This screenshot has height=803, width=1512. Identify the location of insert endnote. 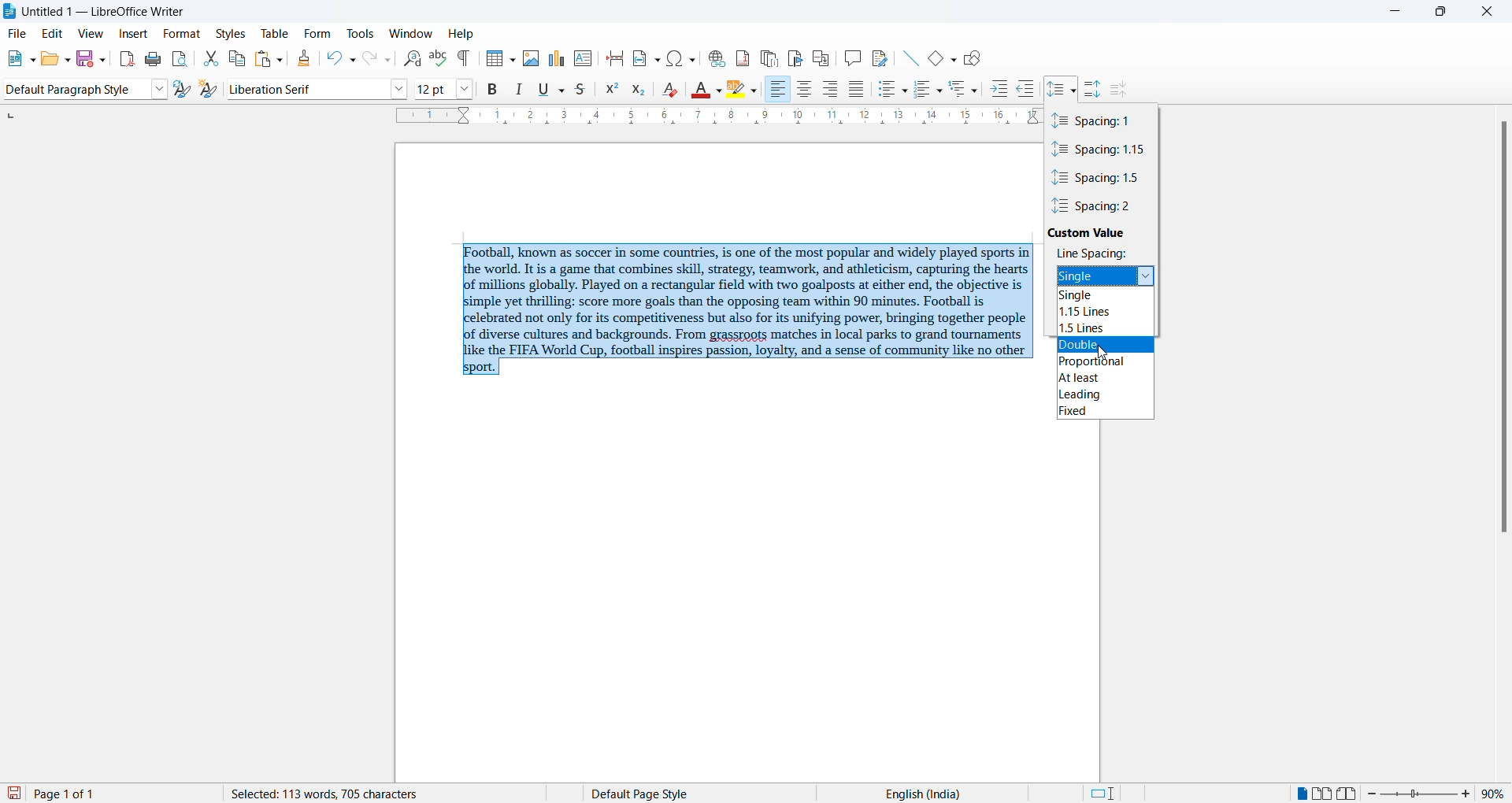
(769, 56).